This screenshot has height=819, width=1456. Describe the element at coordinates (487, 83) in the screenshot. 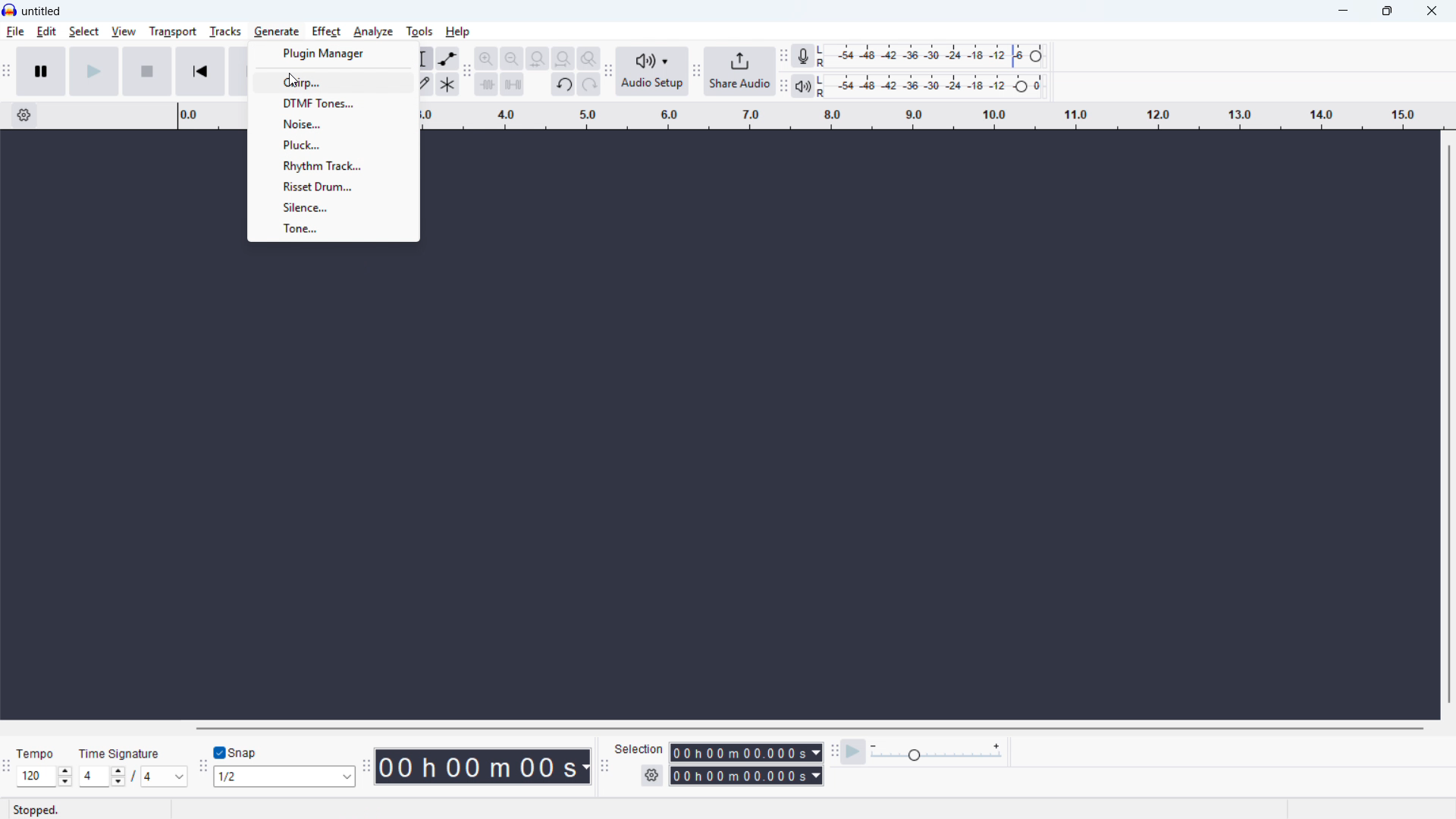

I see `Trim audio outside selection ` at that location.